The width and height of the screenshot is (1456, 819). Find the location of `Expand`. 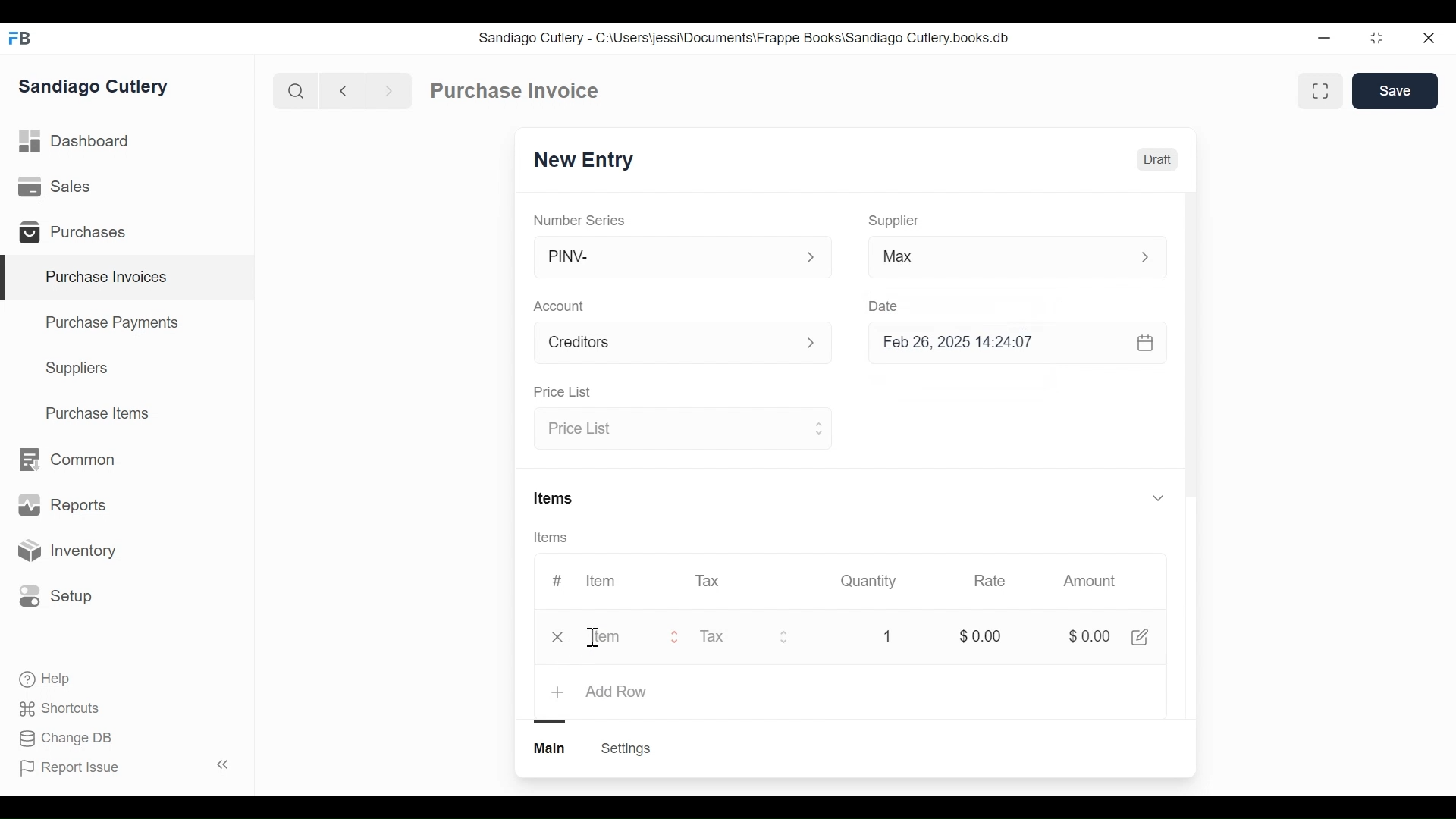

Expand is located at coordinates (820, 344).